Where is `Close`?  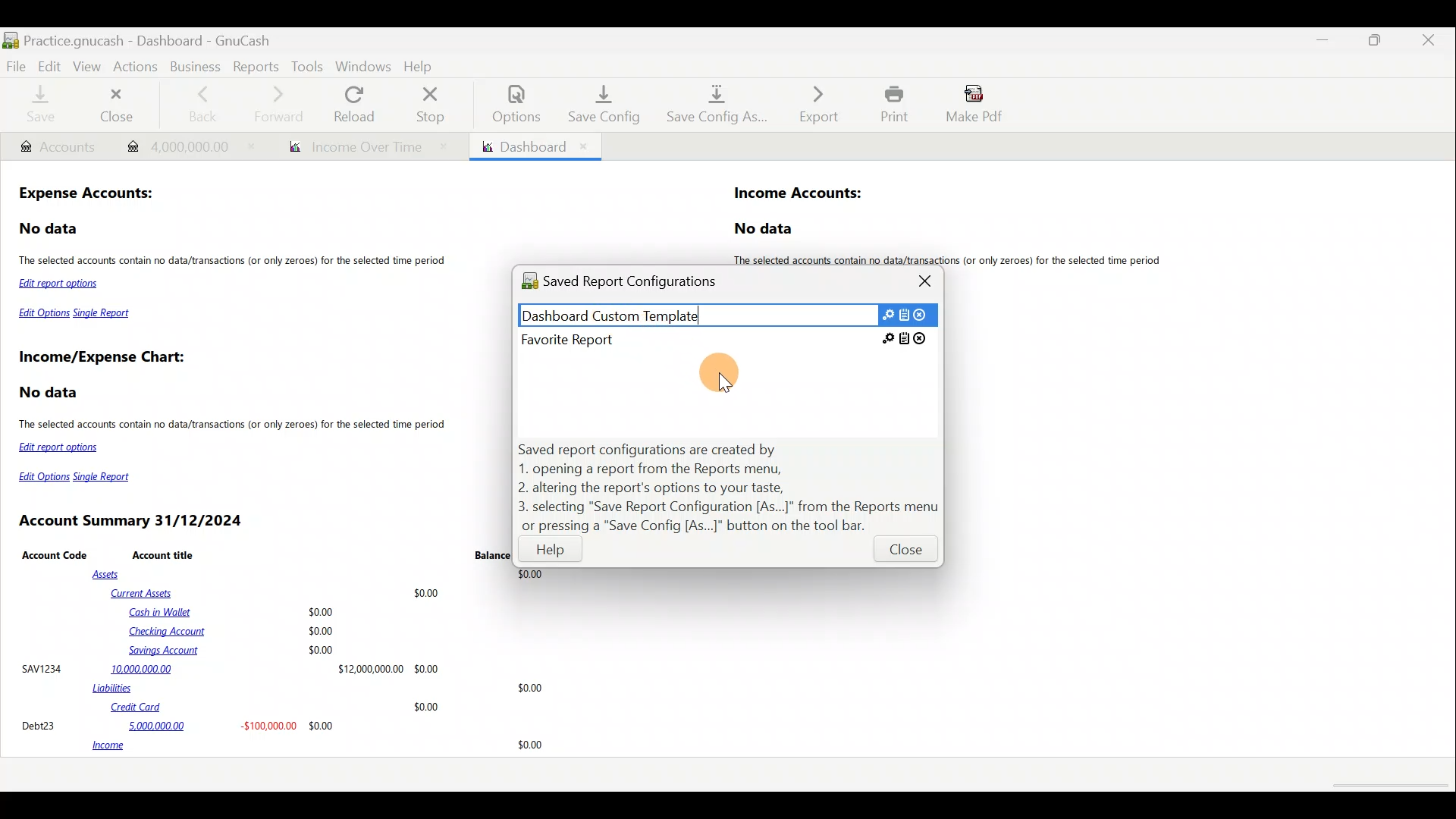
Close is located at coordinates (904, 553).